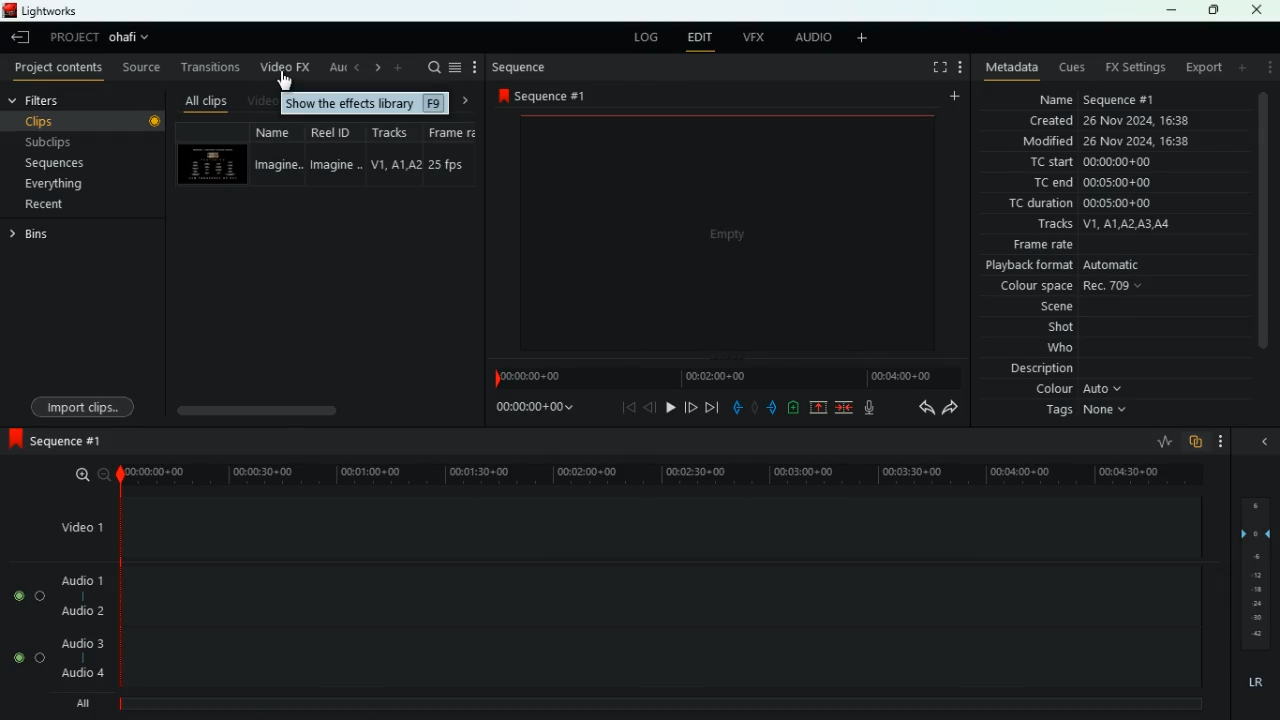 This screenshot has height=720, width=1280. What do you see at coordinates (202, 101) in the screenshot?
I see `all clips` at bounding box center [202, 101].